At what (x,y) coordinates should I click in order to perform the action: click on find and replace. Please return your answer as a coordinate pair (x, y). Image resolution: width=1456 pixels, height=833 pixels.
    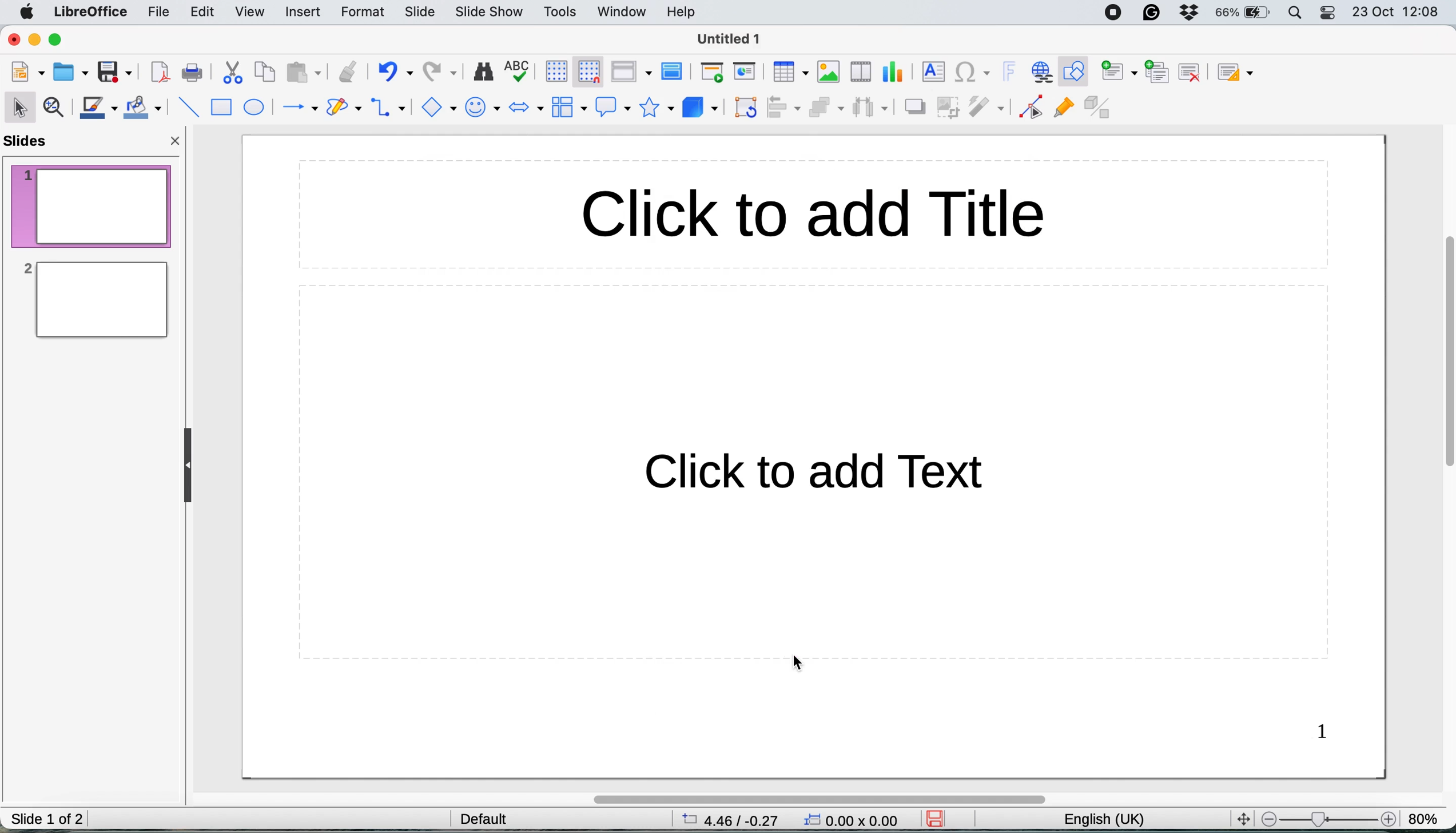
    Looking at the image, I should click on (484, 71).